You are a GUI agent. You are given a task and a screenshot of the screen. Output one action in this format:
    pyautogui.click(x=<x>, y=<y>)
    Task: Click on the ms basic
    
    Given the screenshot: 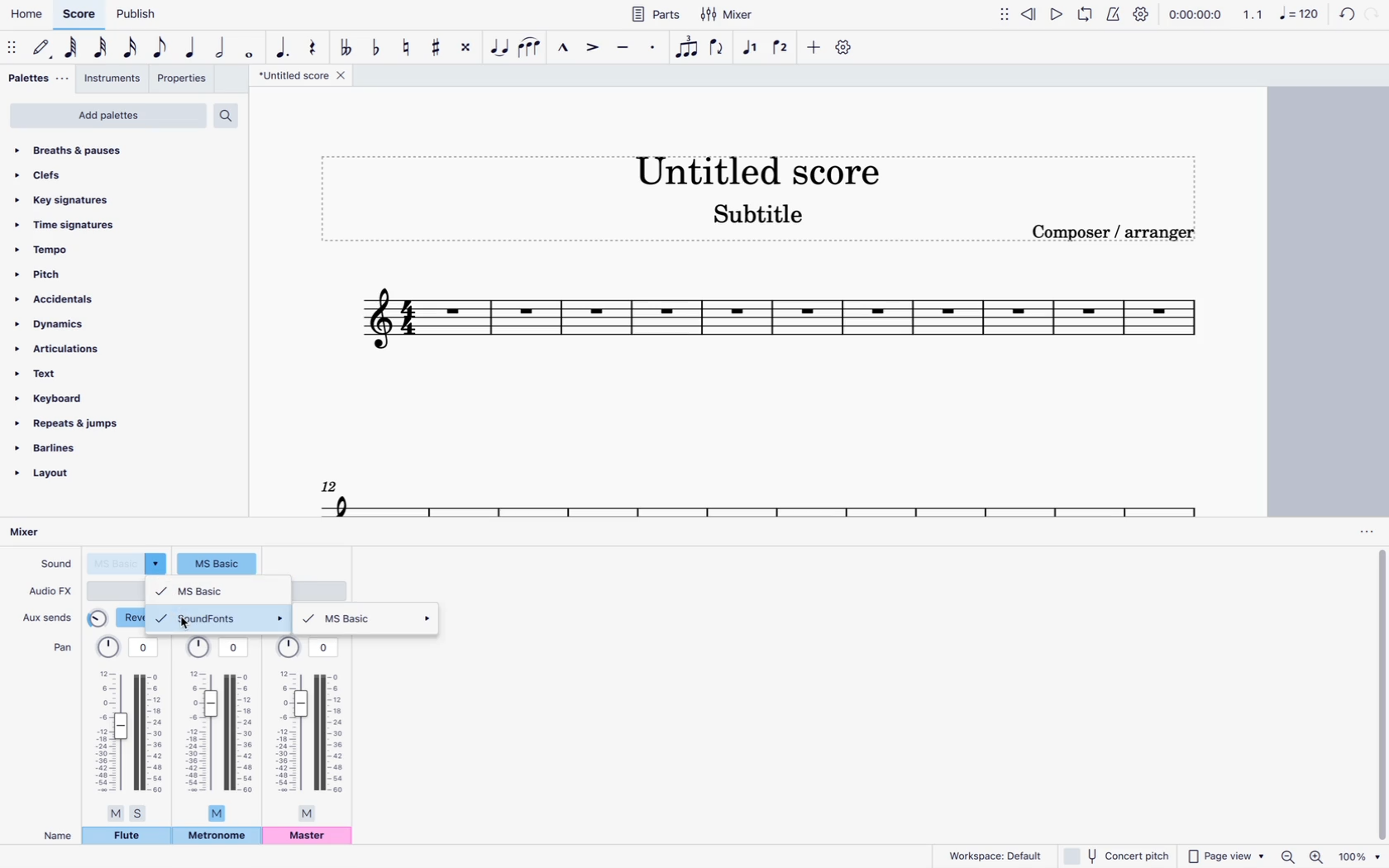 What is the action you would take?
    pyautogui.click(x=370, y=619)
    